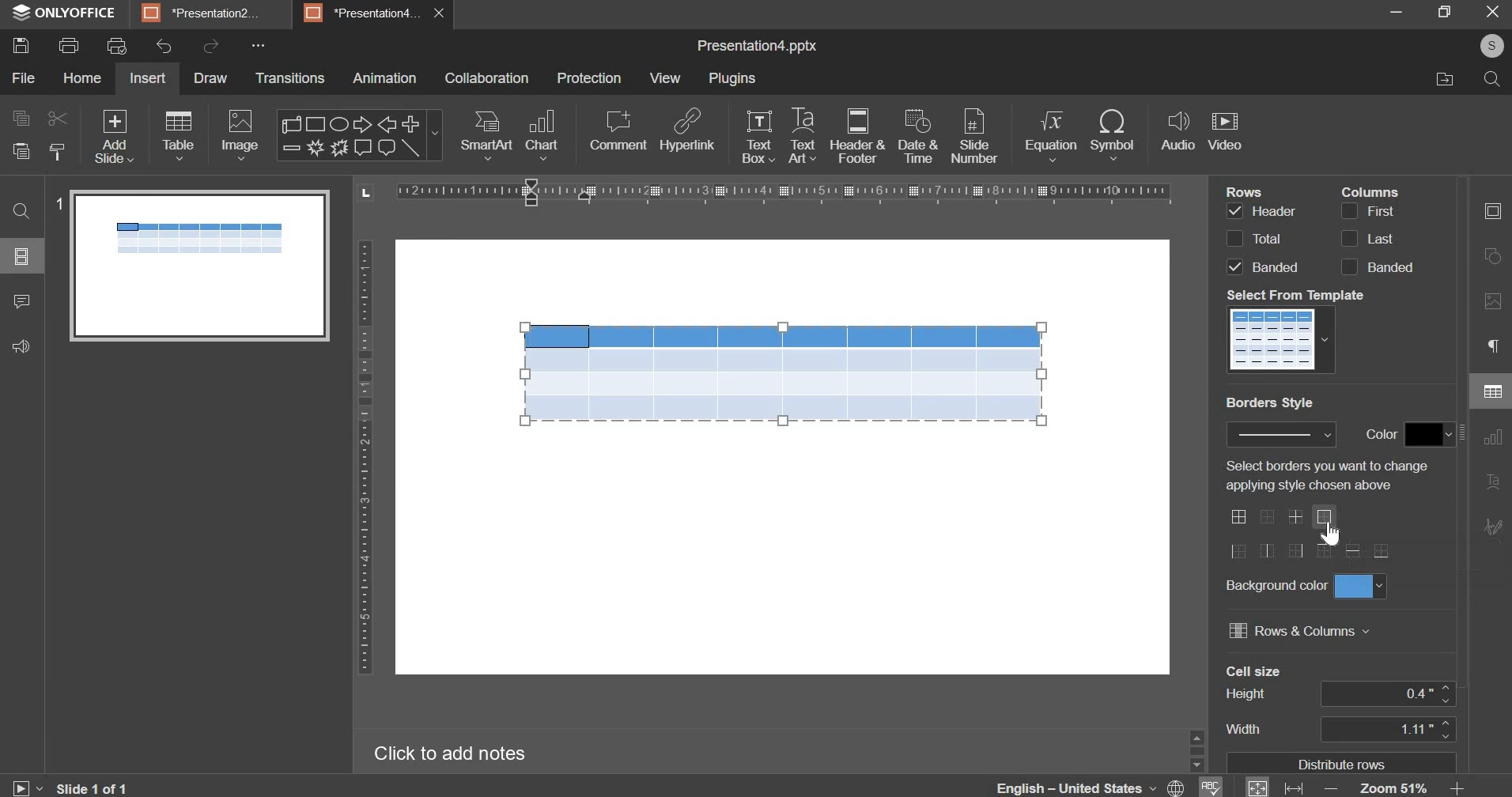 Image resolution: width=1512 pixels, height=797 pixels. I want to click on chart settings, so click(1497, 436).